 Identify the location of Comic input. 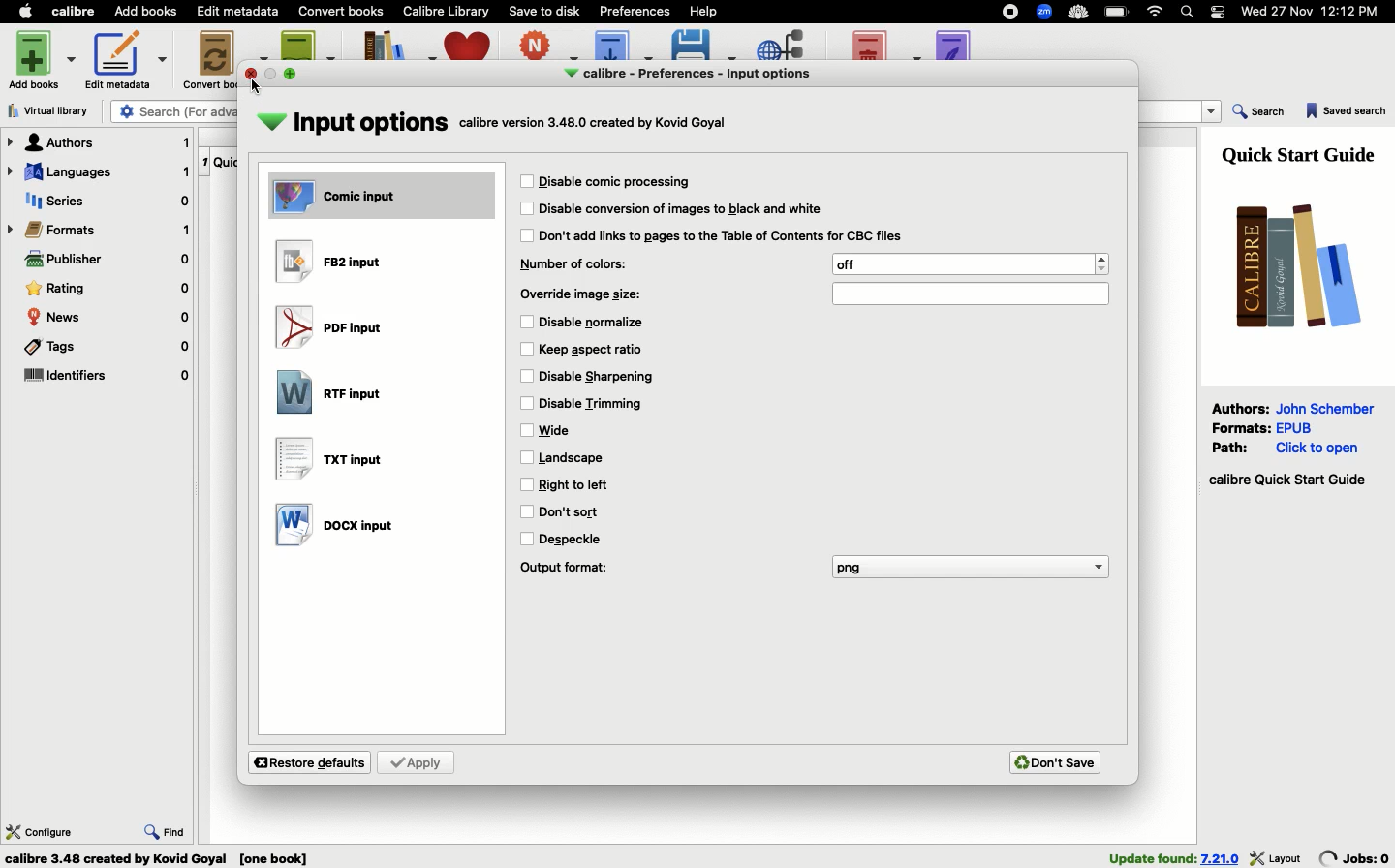
(385, 197).